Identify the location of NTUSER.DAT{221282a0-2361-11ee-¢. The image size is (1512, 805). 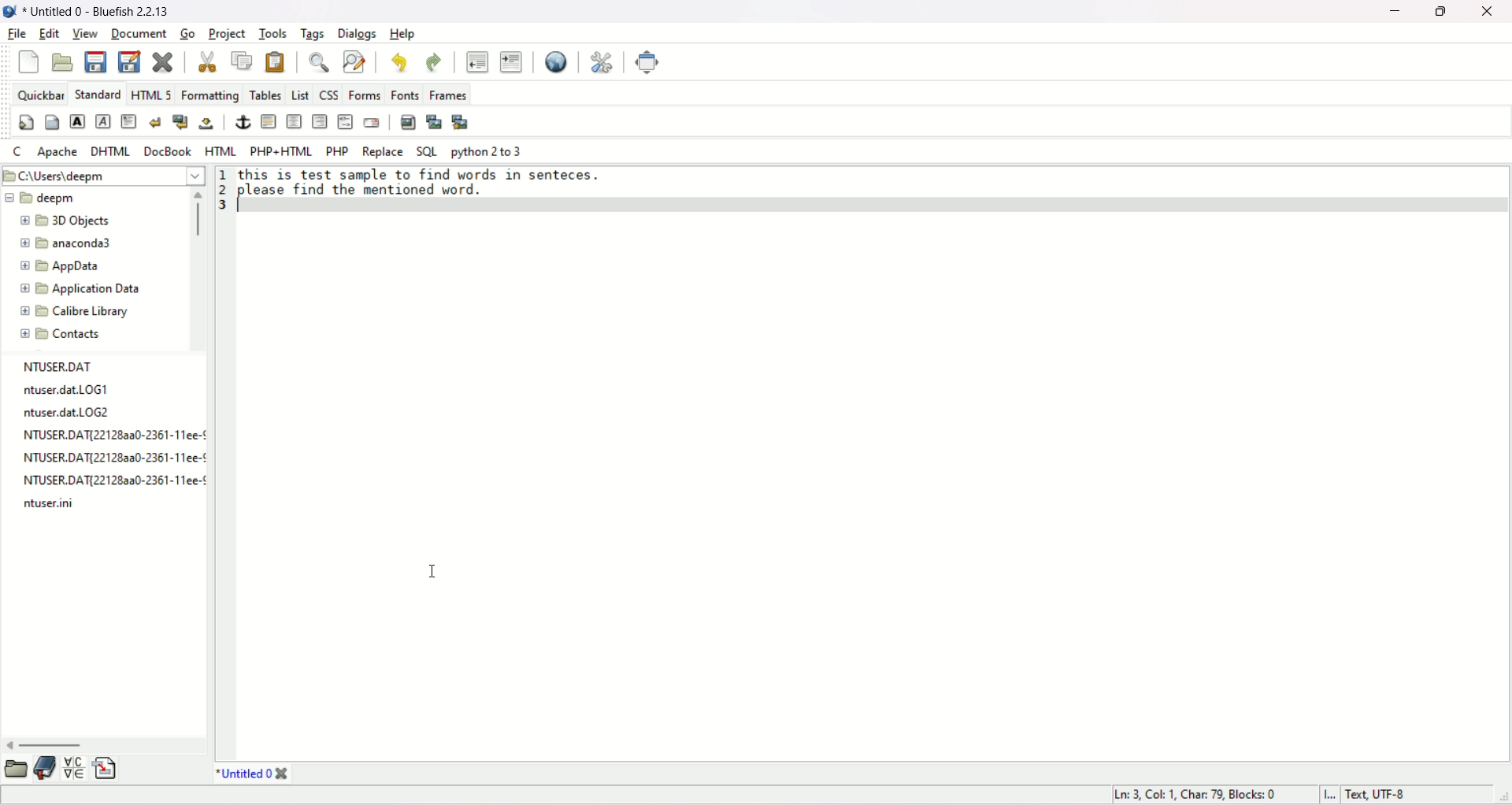
(111, 477).